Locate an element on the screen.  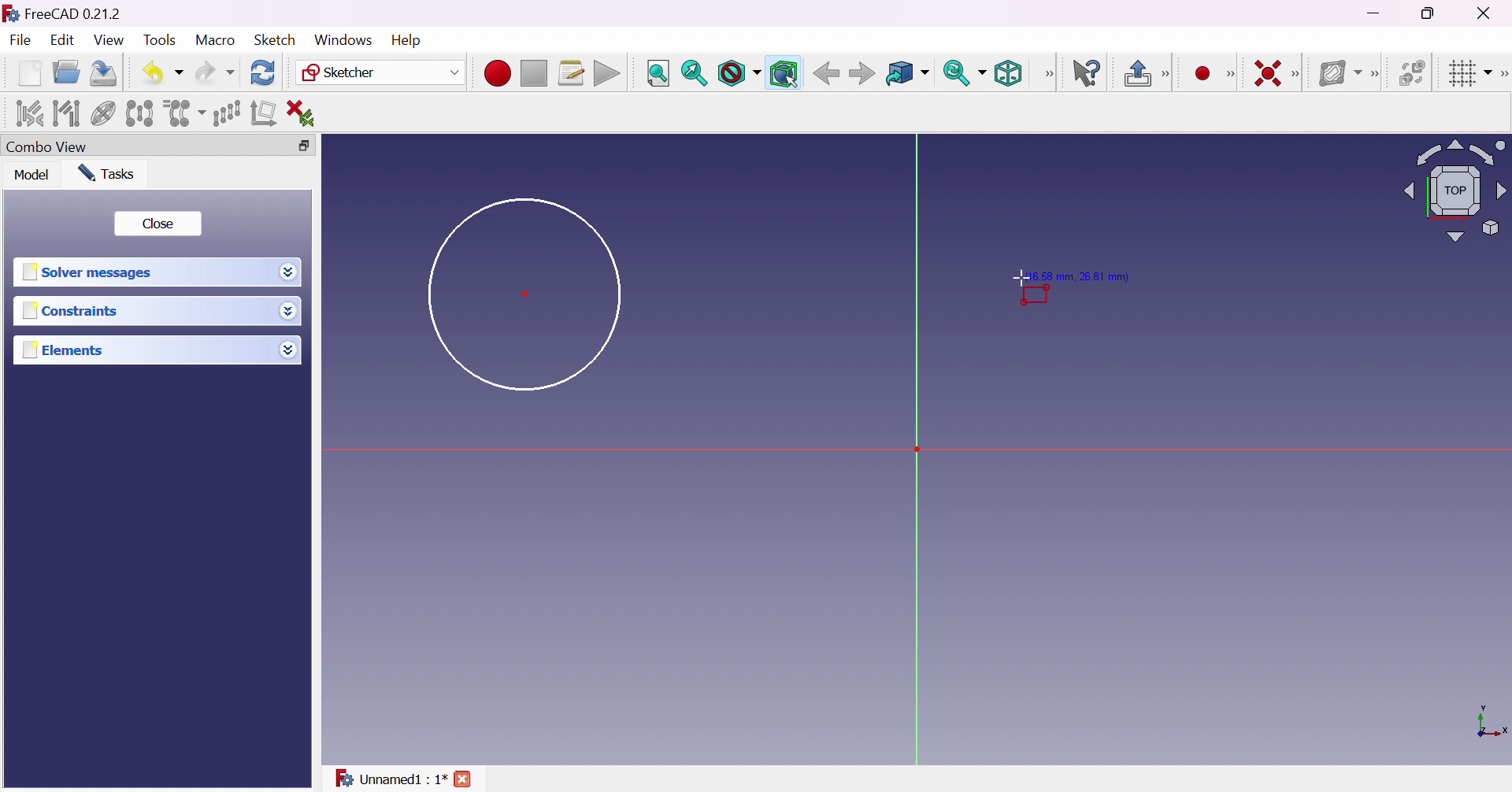
Solver messages is located at coordinates (87, 272).